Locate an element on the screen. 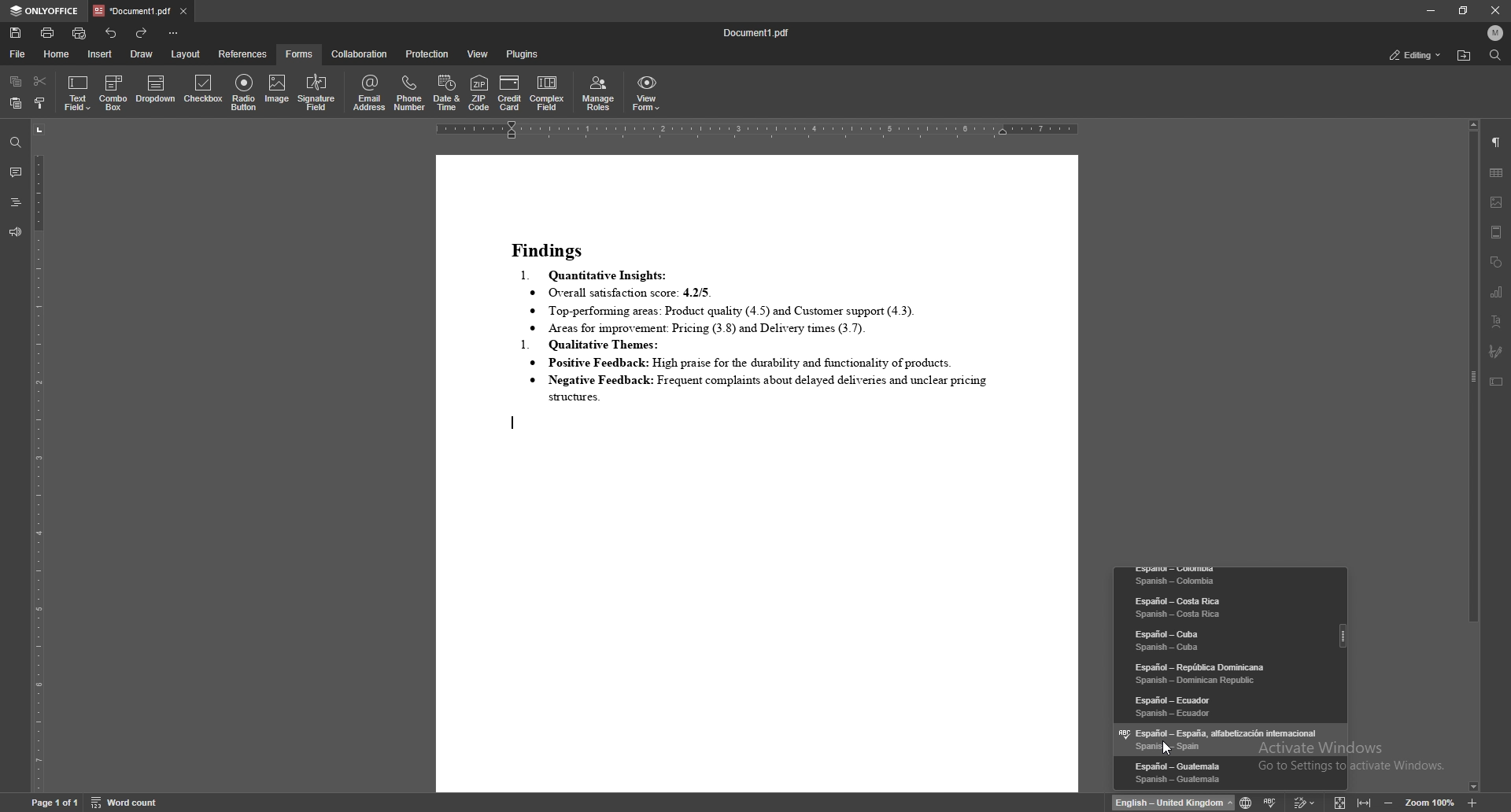 This screenshot has width=1511, height=812. layout is located at coordinates (186, 54).